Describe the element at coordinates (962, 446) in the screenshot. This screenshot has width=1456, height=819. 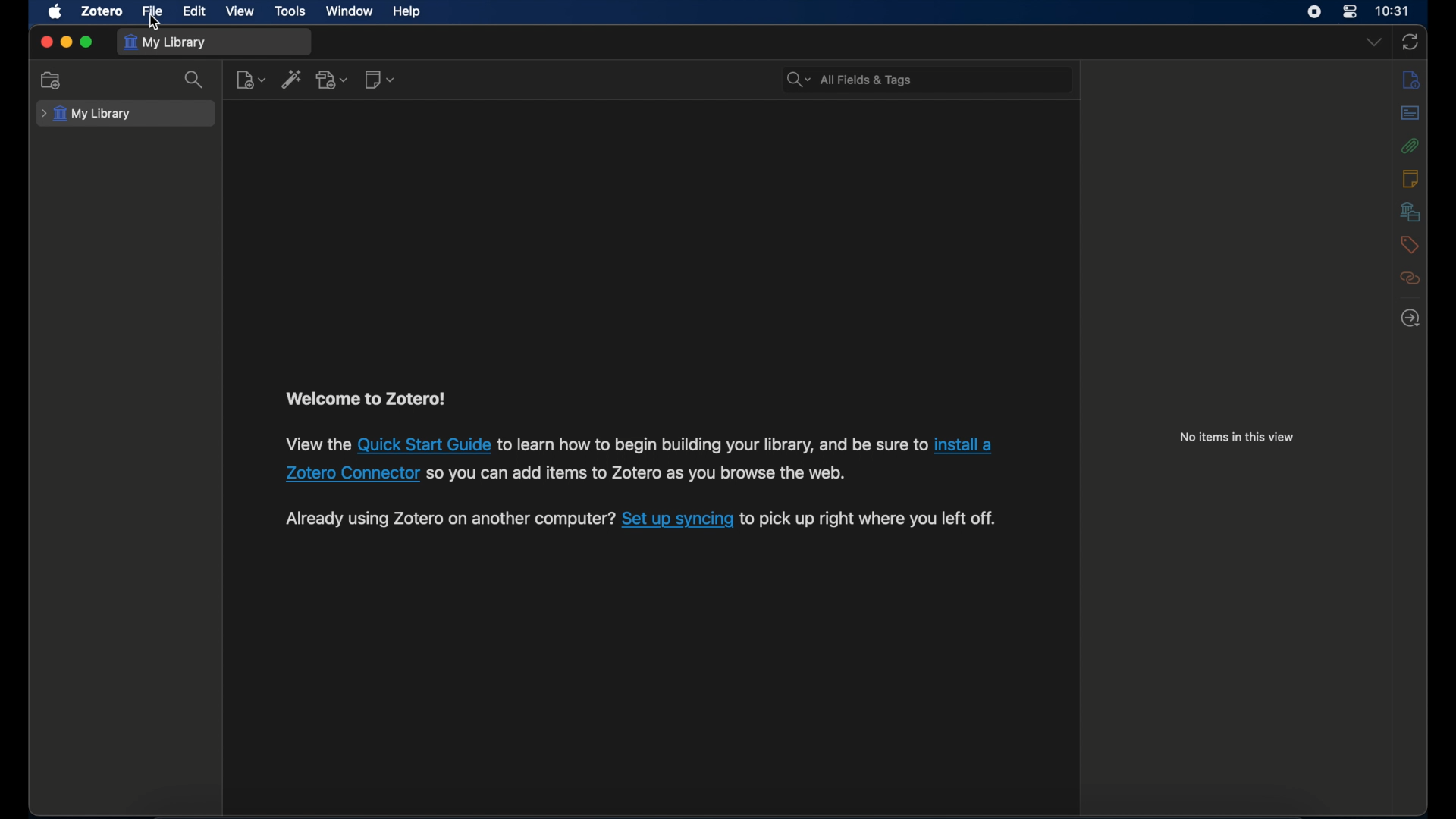
I see `link` at that location.